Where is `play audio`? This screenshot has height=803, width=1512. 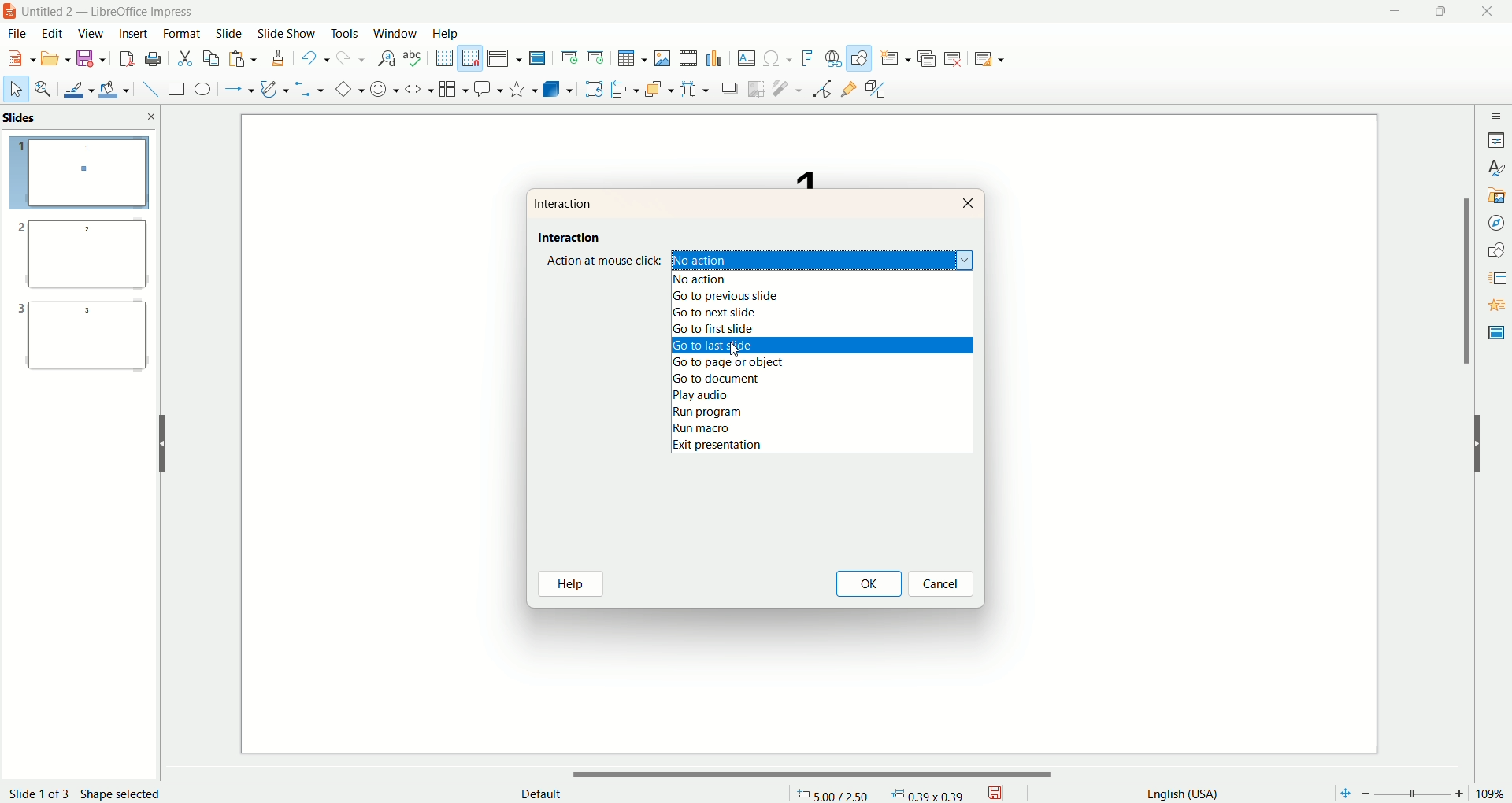
play audio is located at coordinates (757, 396).